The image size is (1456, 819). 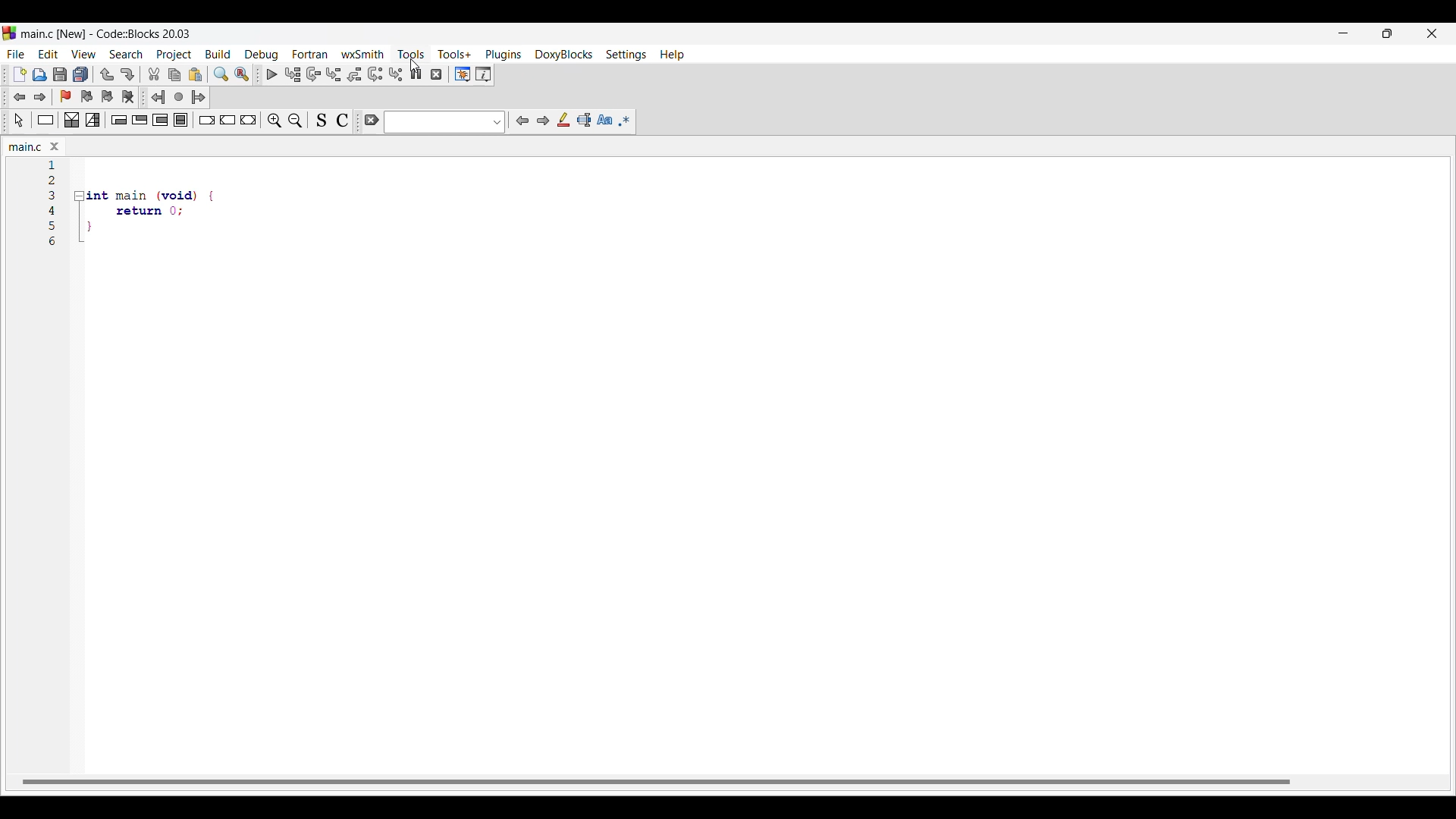 I want to click on Decision, so click(x=71, y=120).